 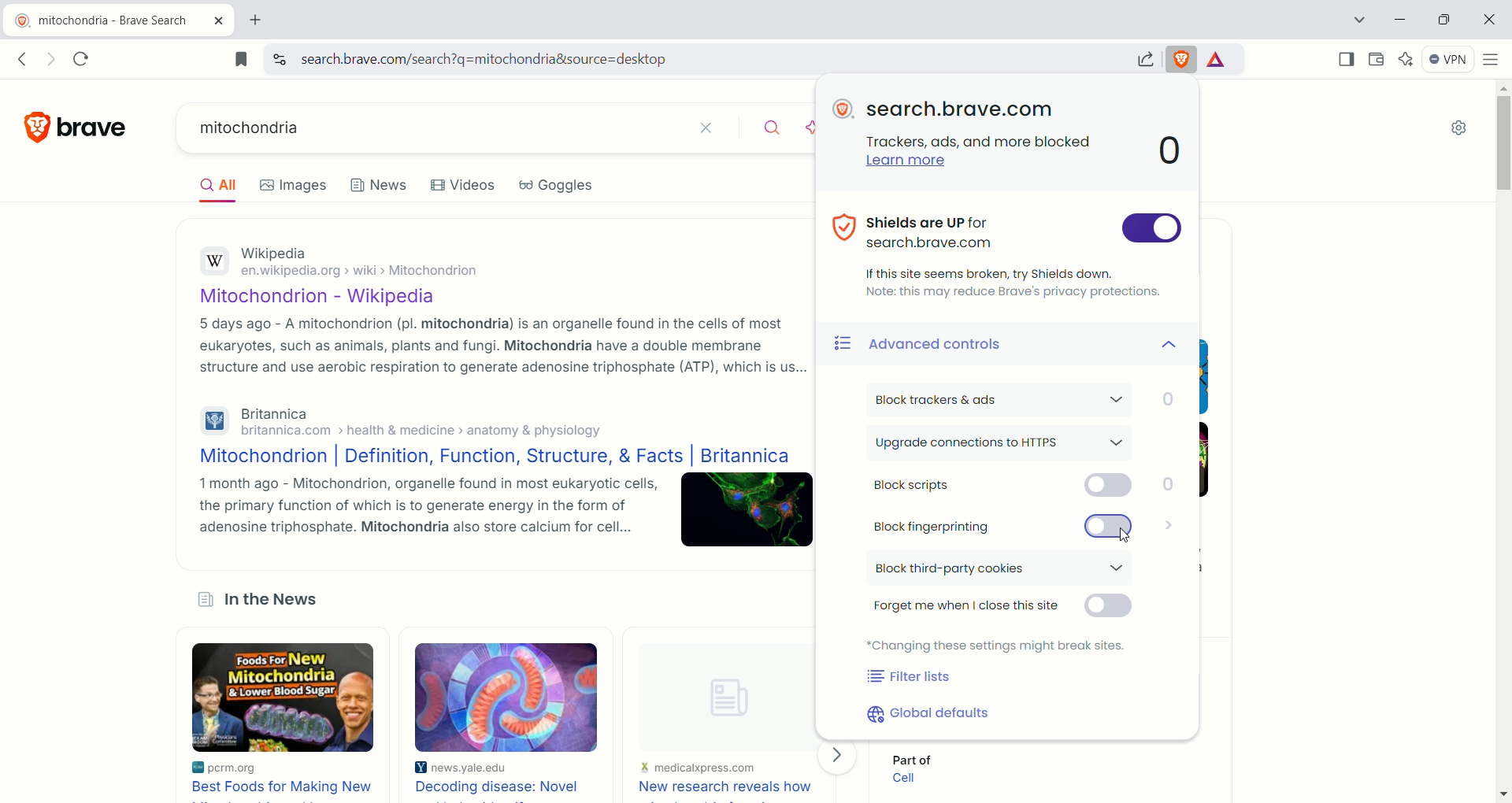 I want to click on Image, so click(x=506, y=697).